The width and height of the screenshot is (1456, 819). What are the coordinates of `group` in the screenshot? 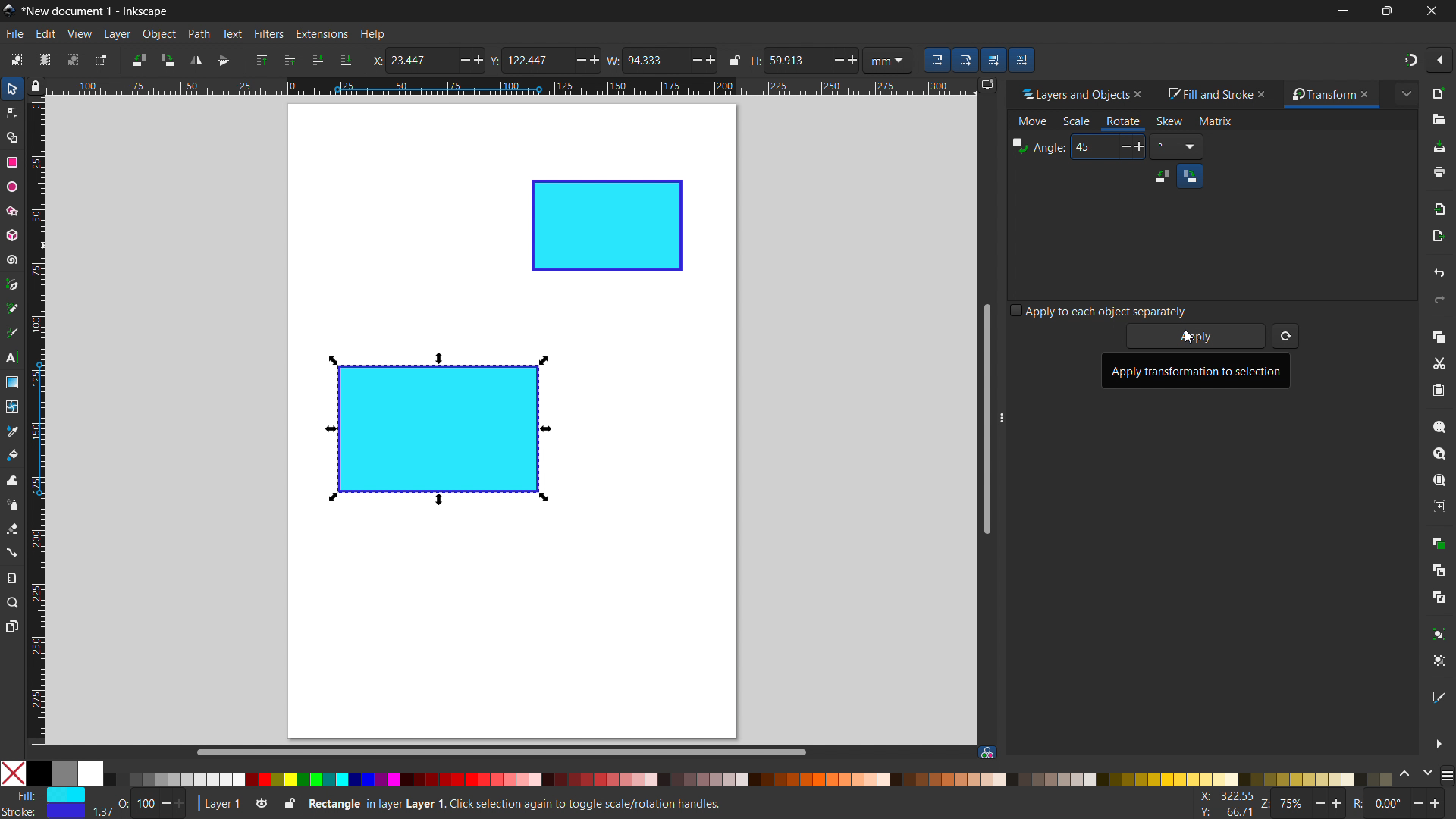 It's located at (1440, 633).